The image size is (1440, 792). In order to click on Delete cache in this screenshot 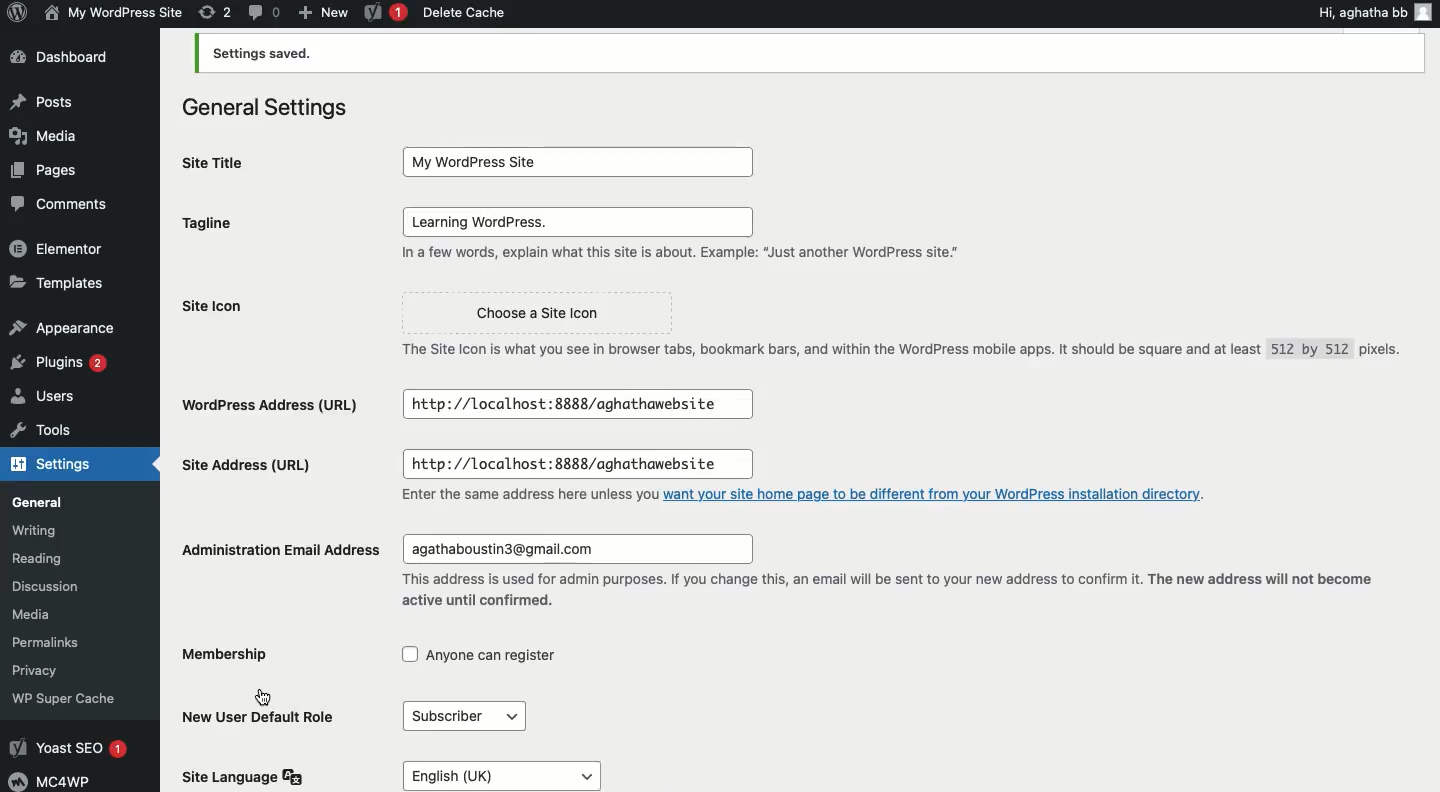, I will do `click(465, 12)`.